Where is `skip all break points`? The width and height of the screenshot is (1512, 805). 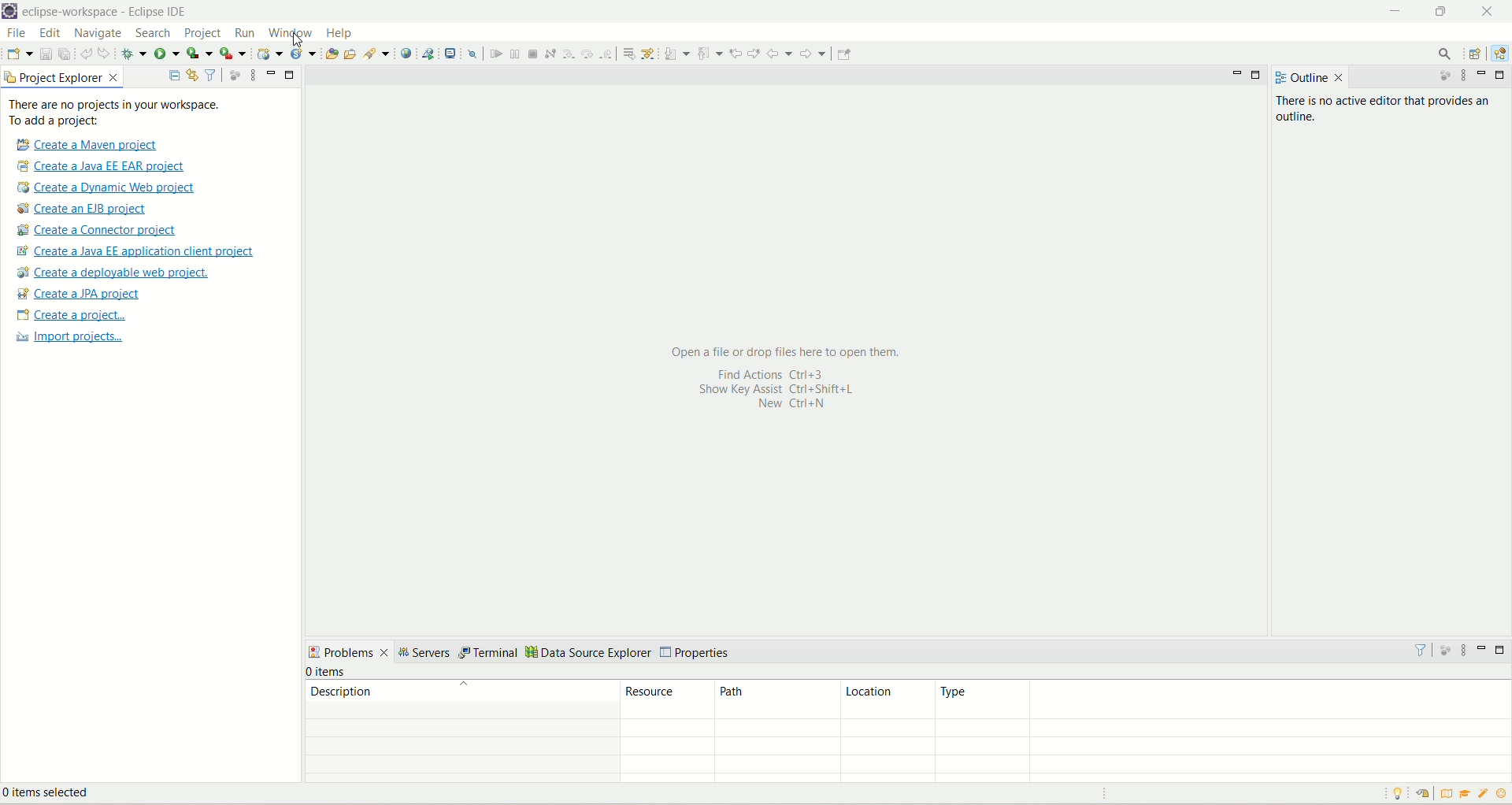 skip all break points is located at coordinates (472, 53).